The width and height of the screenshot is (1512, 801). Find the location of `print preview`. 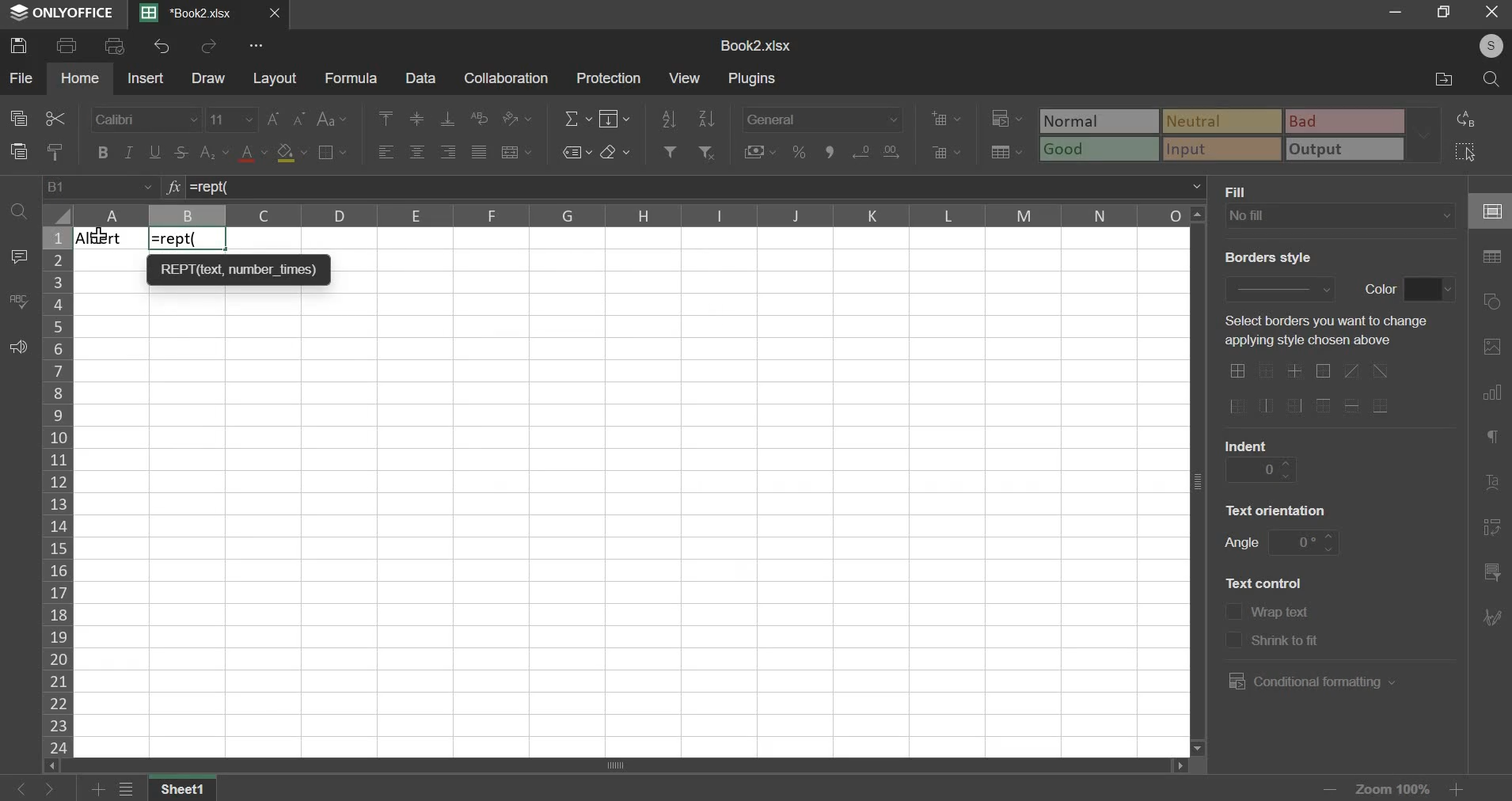

print preview is located at coordinates (116, 44).